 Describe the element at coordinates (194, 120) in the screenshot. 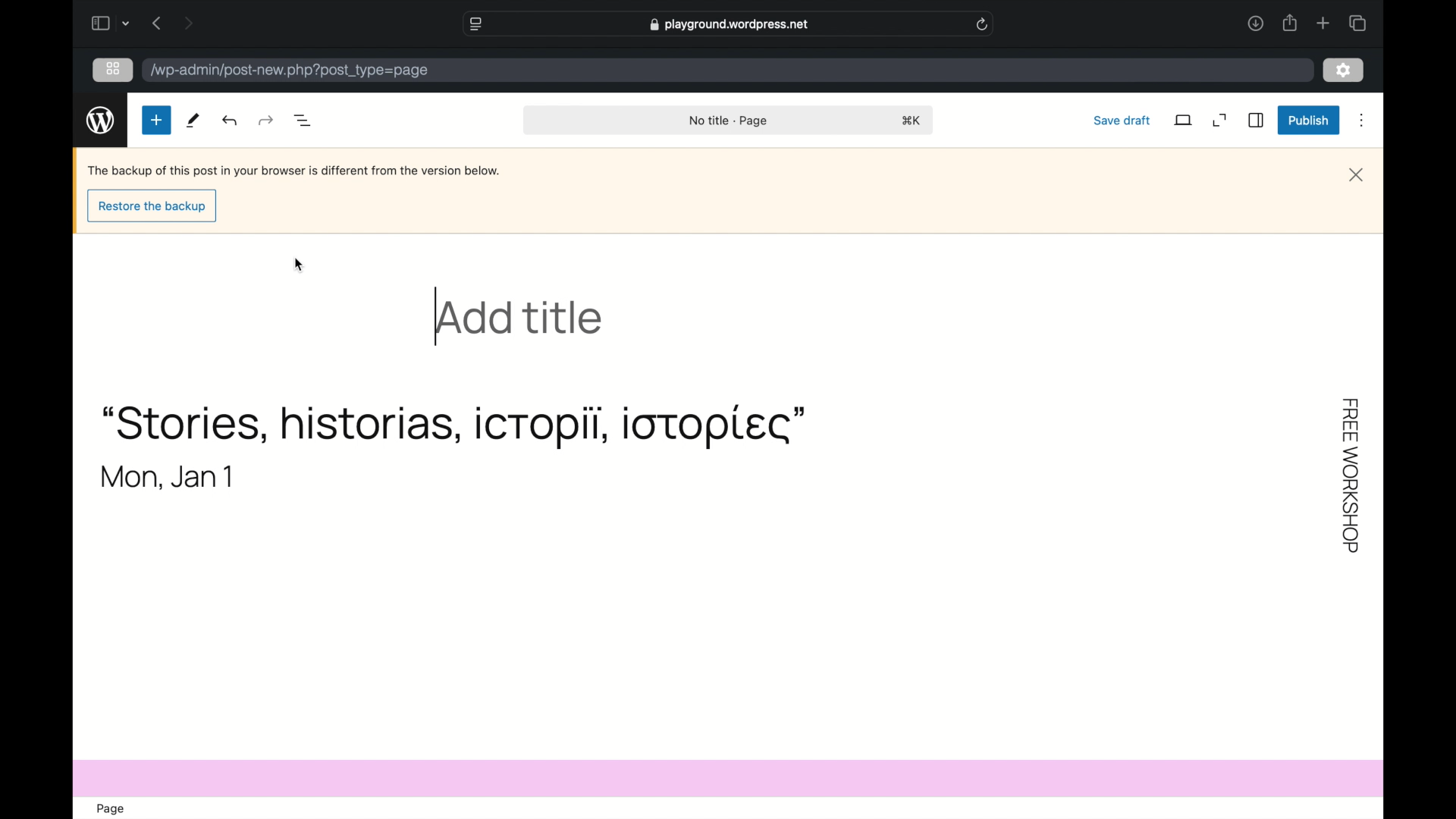

I see `tools` at that location.